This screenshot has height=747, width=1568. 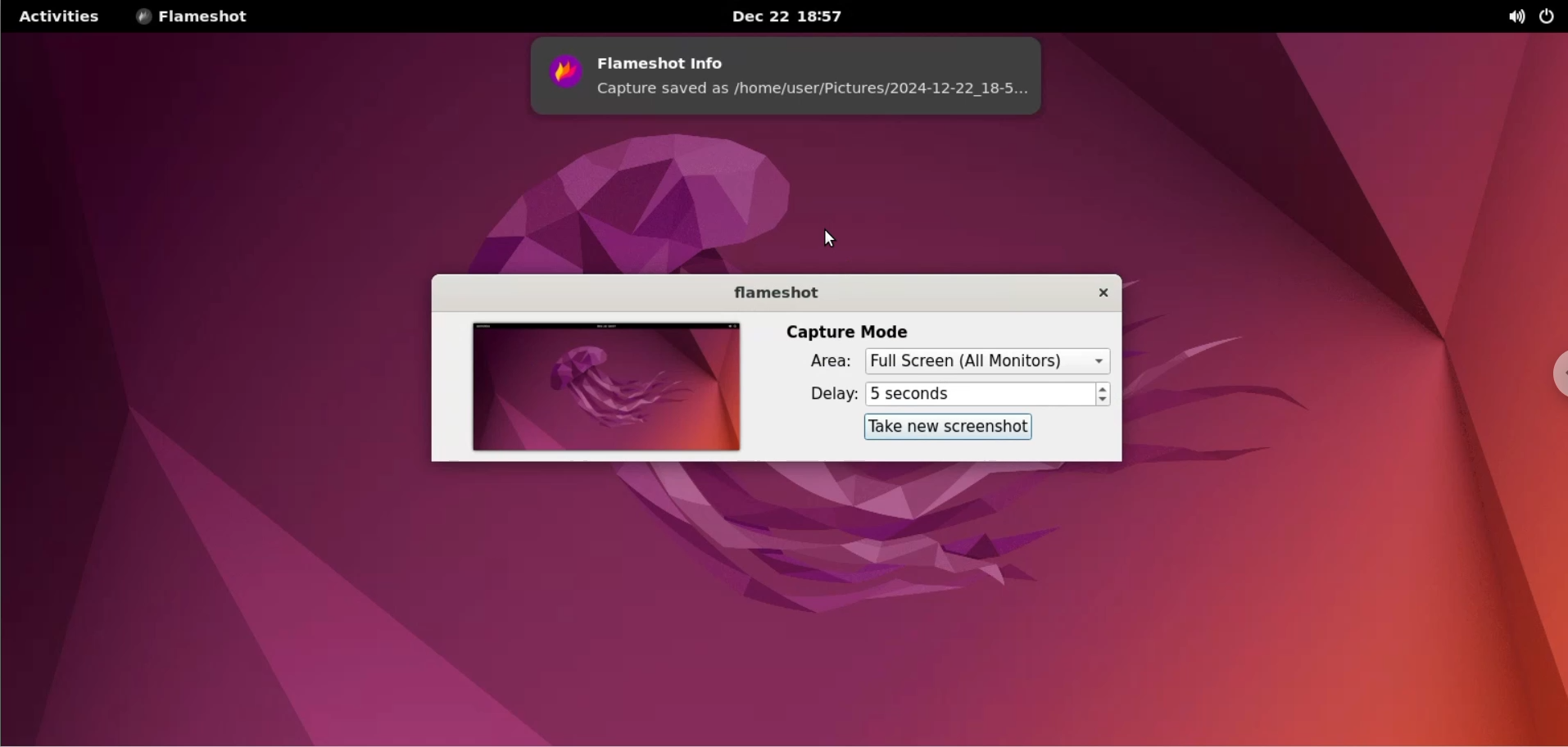 I want to click on area:, so click(x=814, y=364).